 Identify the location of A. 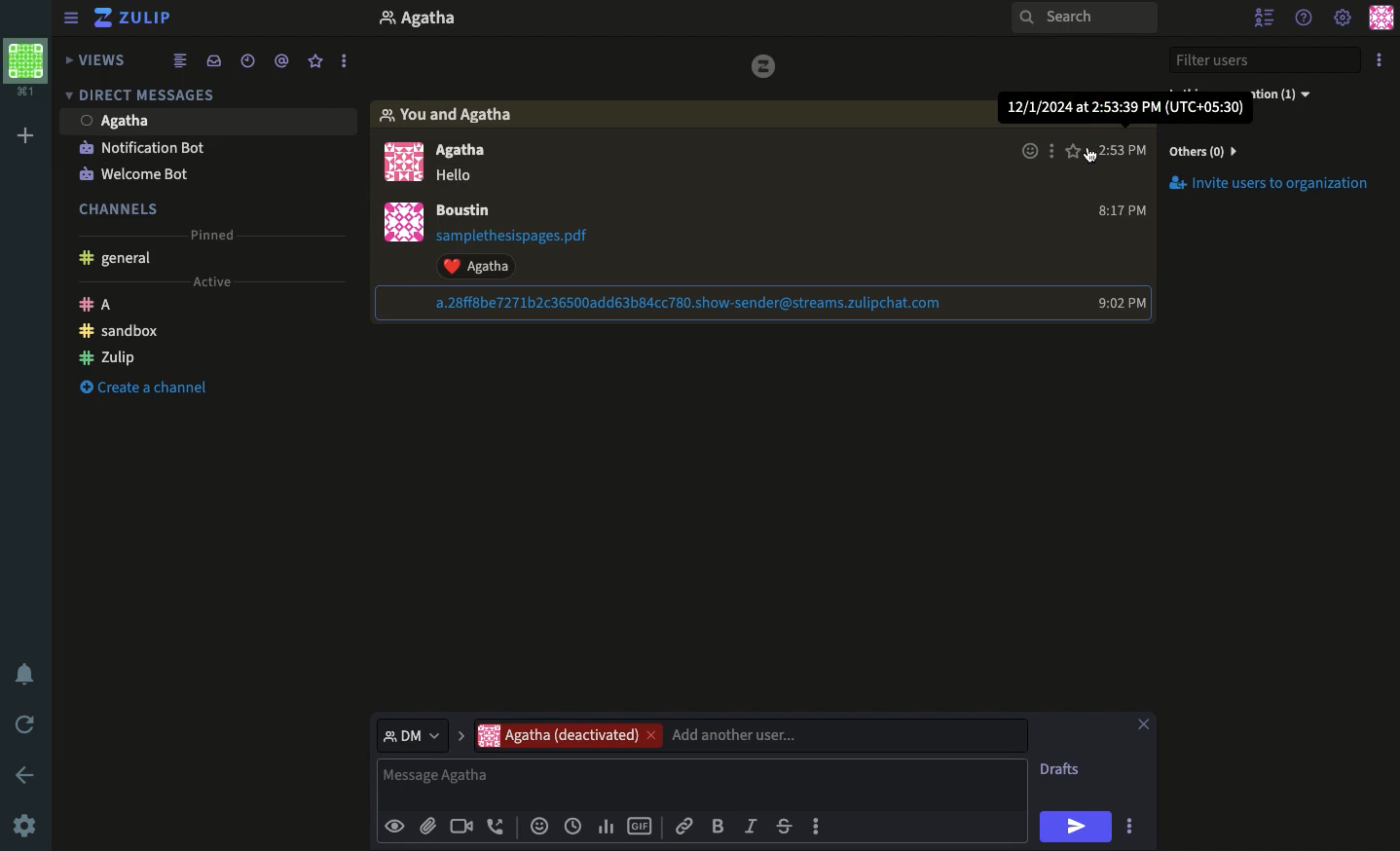
(101, 305).